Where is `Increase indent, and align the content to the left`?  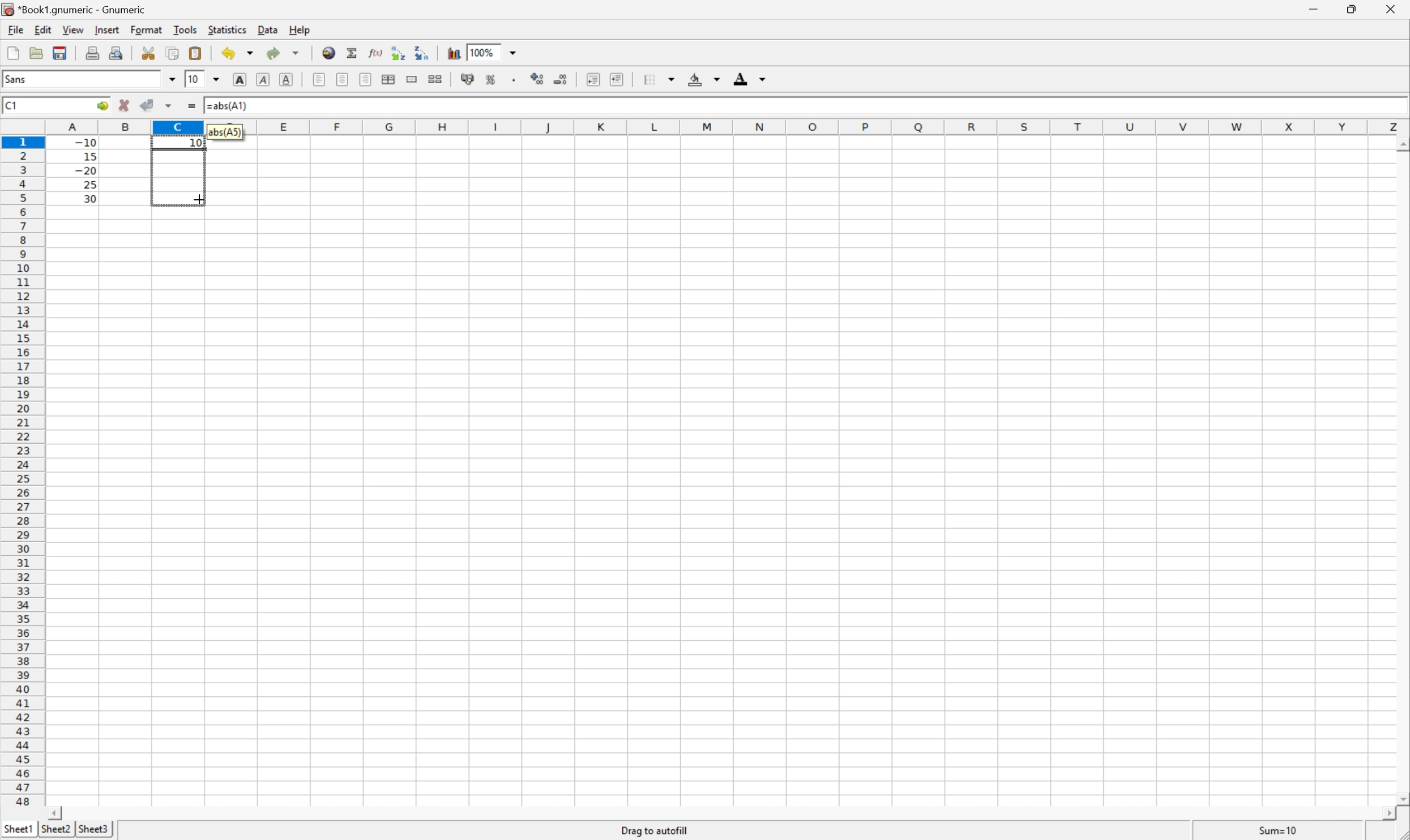 Increase indent, and align the content to the left is located at coordinates (615, 79).